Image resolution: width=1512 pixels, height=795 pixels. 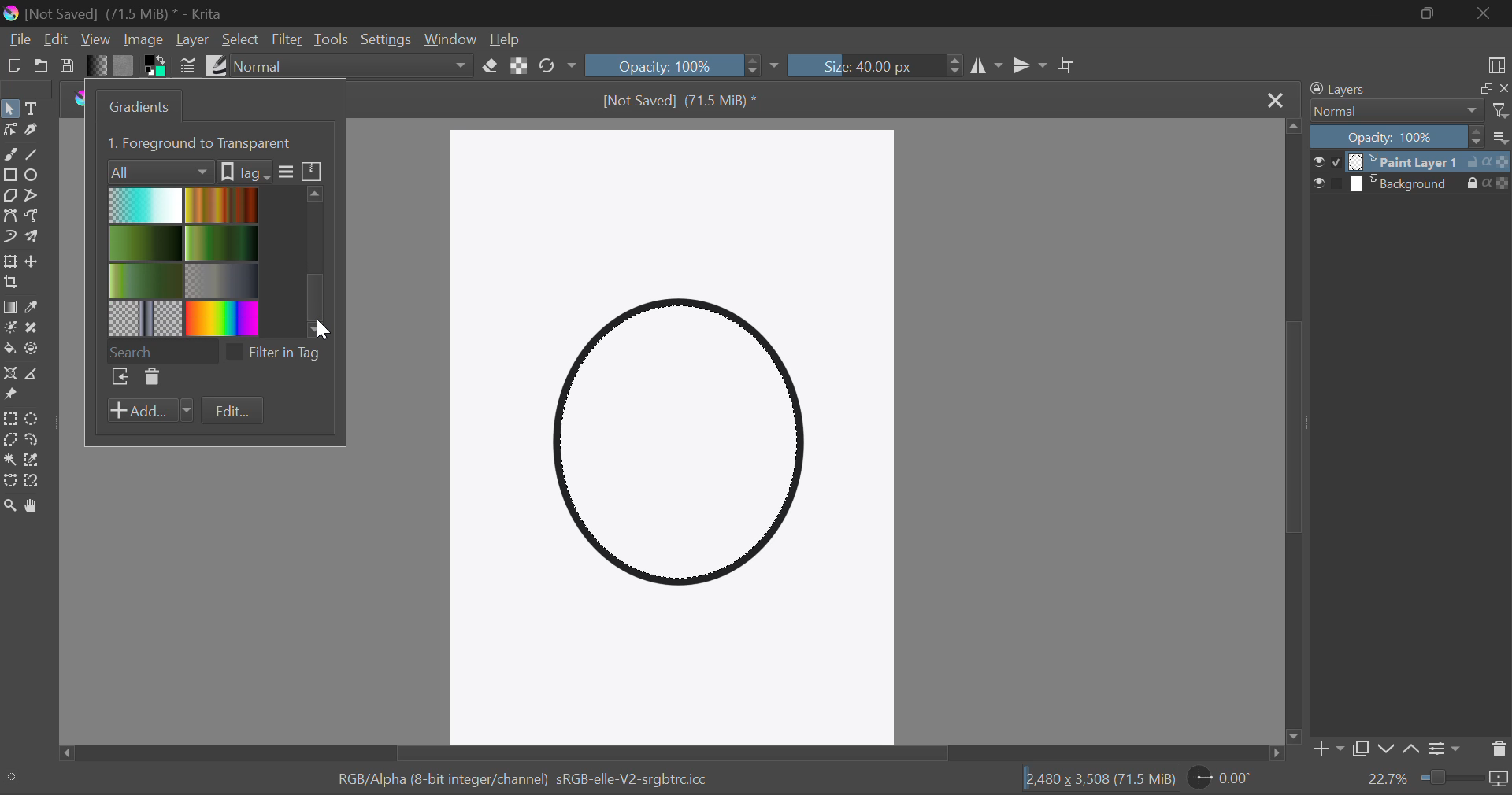 What do you see at coordinates (1032, 68) in the screenshot?
I see `Horizontal Mirror Flip` at bounding box center [1032, 68].